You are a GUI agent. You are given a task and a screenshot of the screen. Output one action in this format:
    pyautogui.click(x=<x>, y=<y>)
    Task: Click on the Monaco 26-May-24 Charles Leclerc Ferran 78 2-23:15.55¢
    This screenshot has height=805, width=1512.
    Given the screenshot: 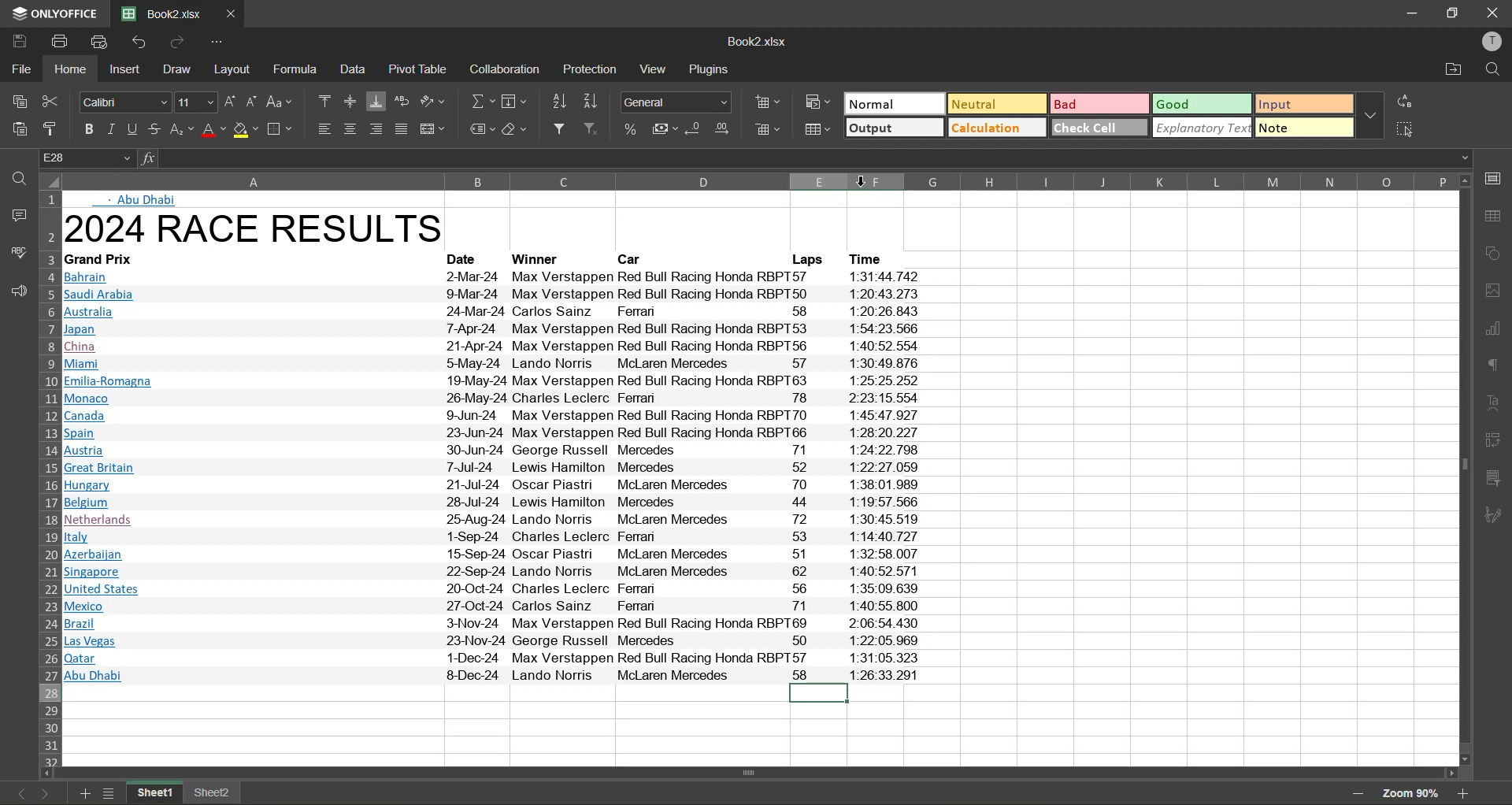 What is the action you would take?
    pyautogui.click(x=492, y=399)
    